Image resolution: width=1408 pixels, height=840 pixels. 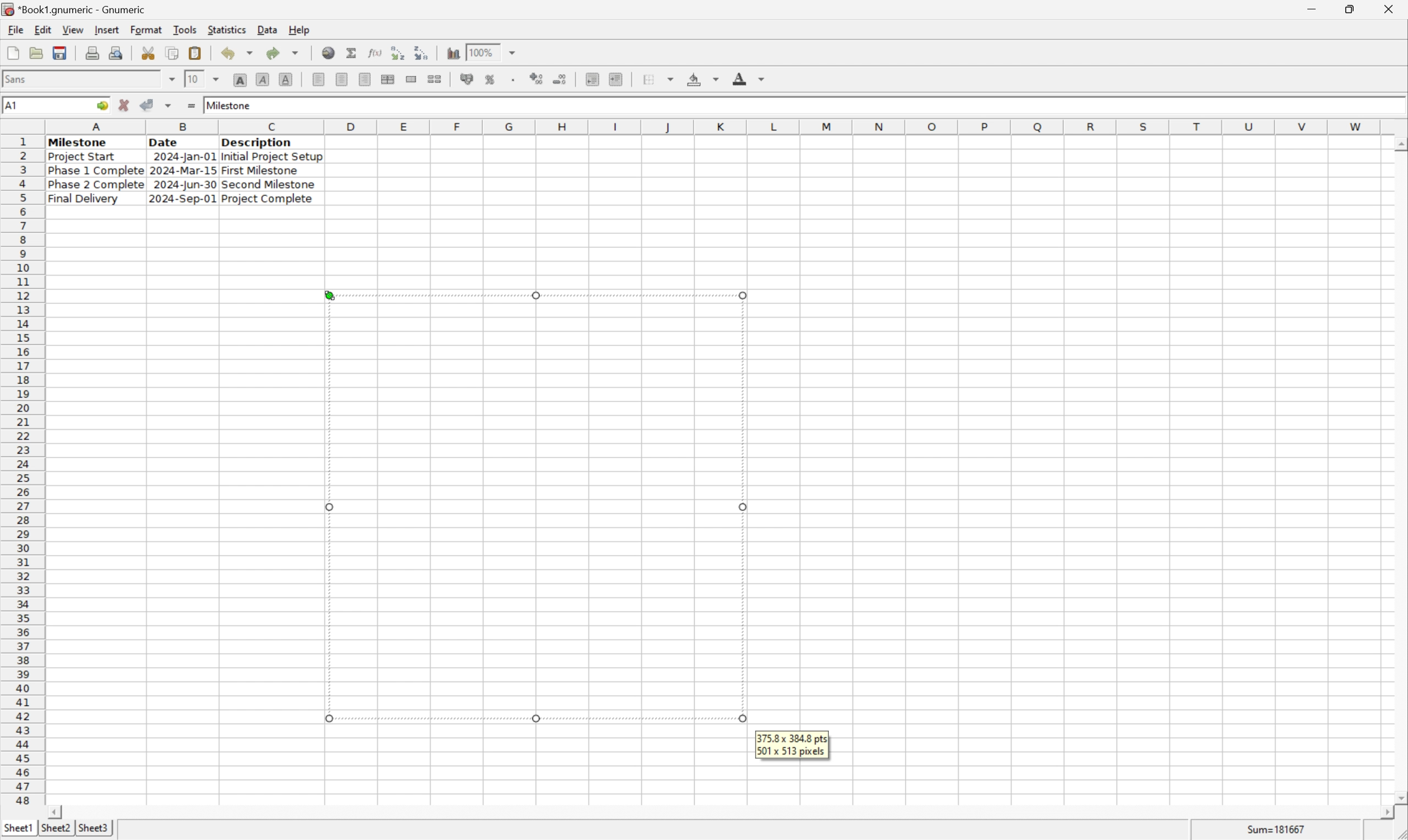 I want to click on Milestone, so click(x=230, y=104).